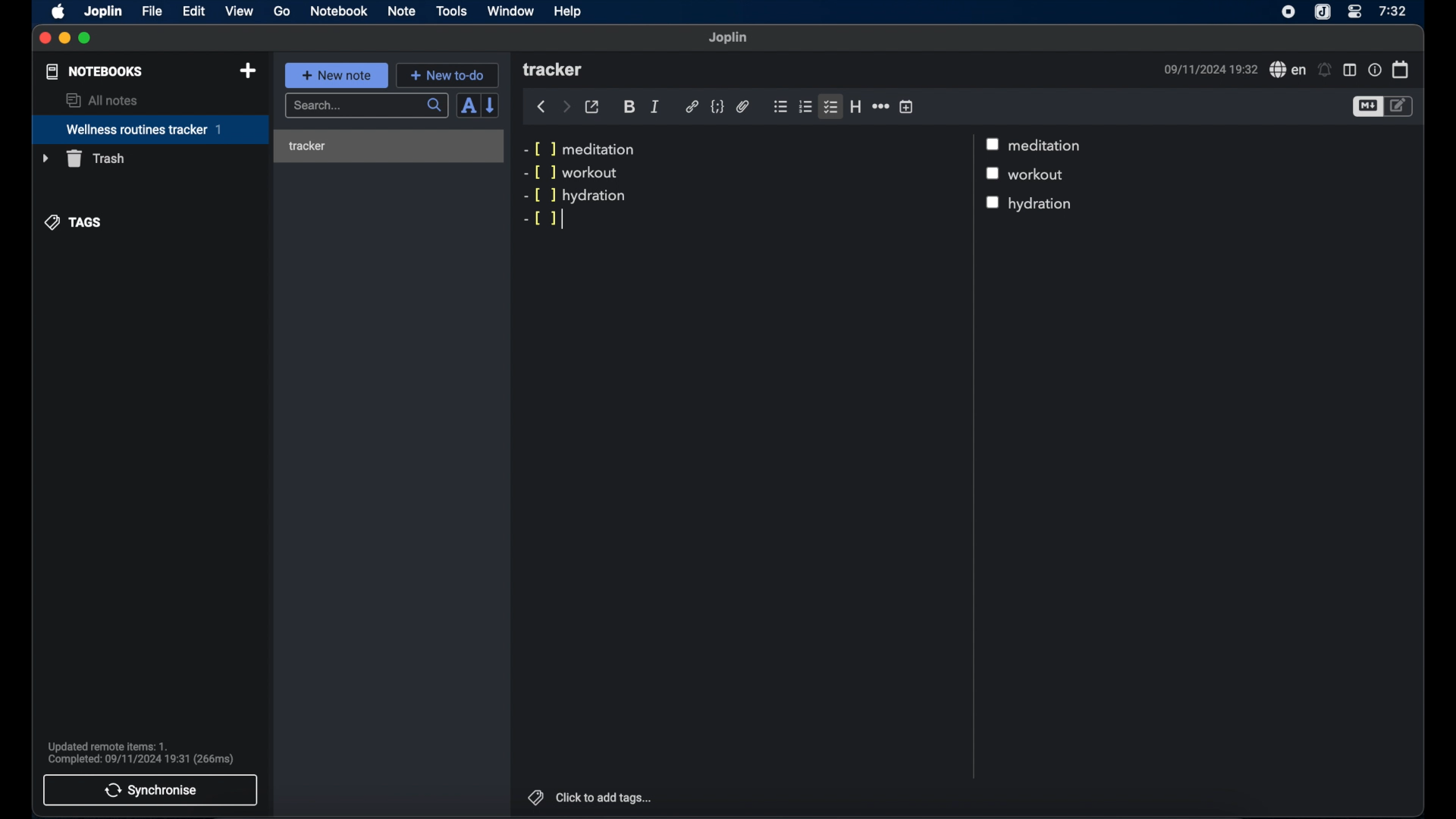  Describe the element at coordinates (511, 11) in the screenshot. I see `window` at that location.